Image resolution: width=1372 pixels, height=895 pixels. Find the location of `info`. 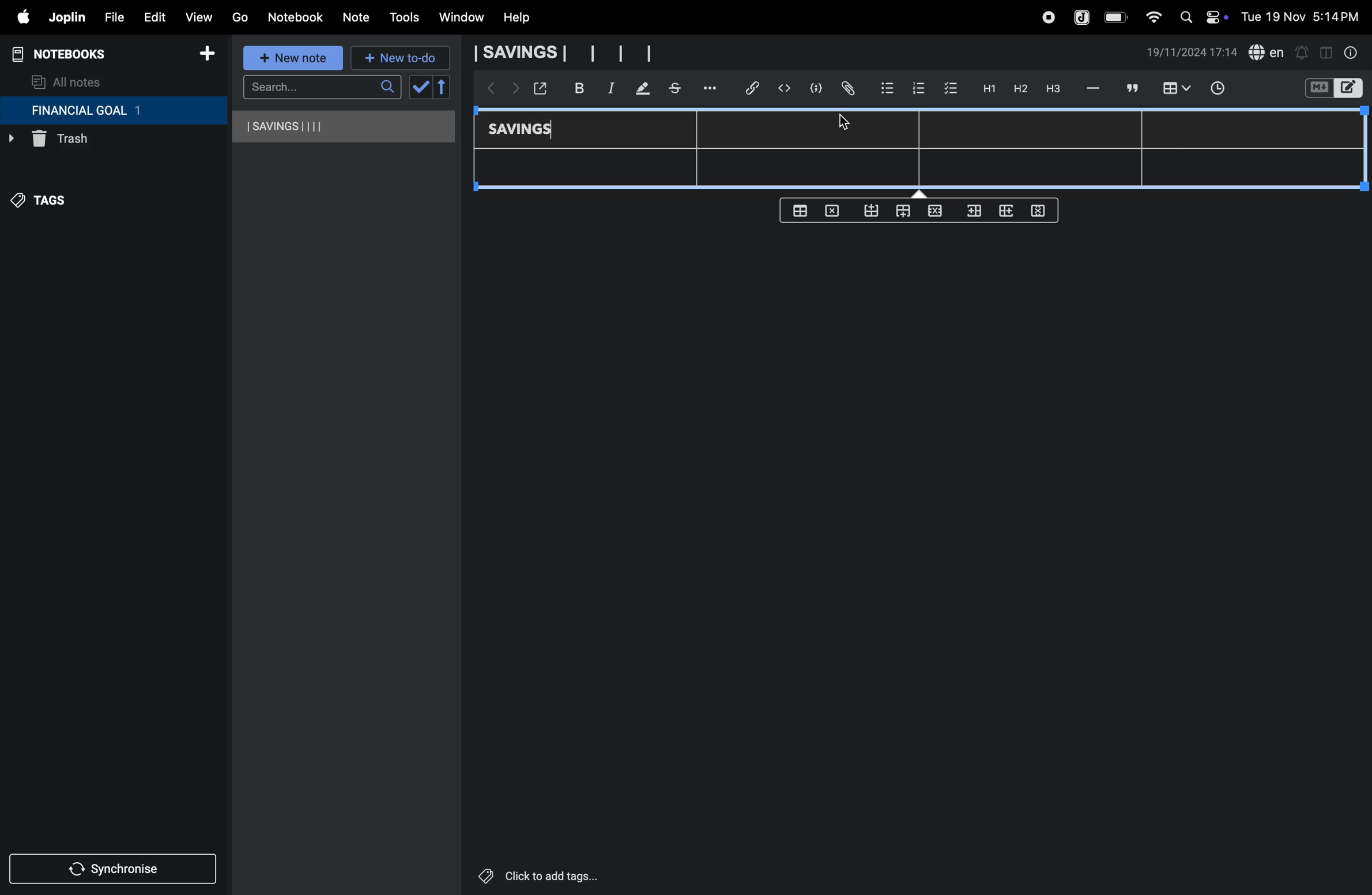

info is located at coordinates (1352, 52).